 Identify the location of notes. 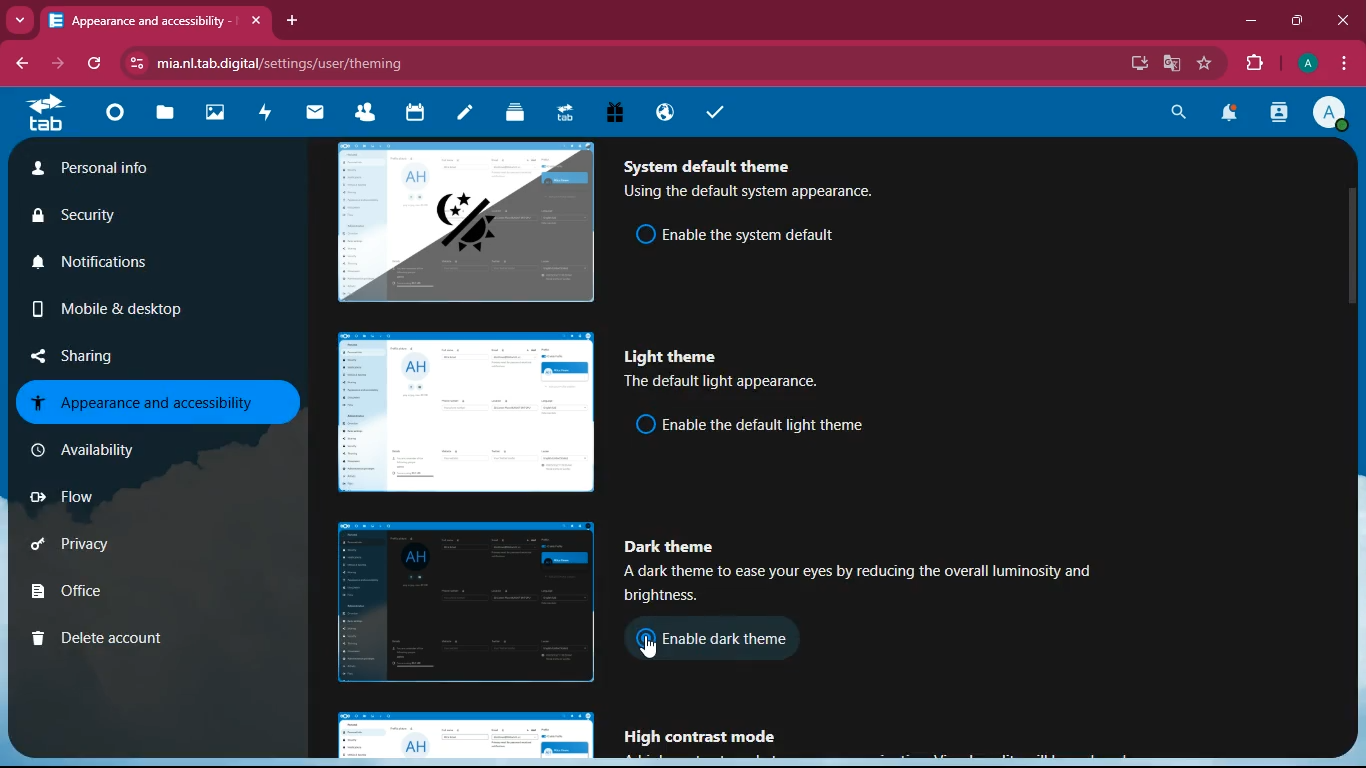
(464, 114).